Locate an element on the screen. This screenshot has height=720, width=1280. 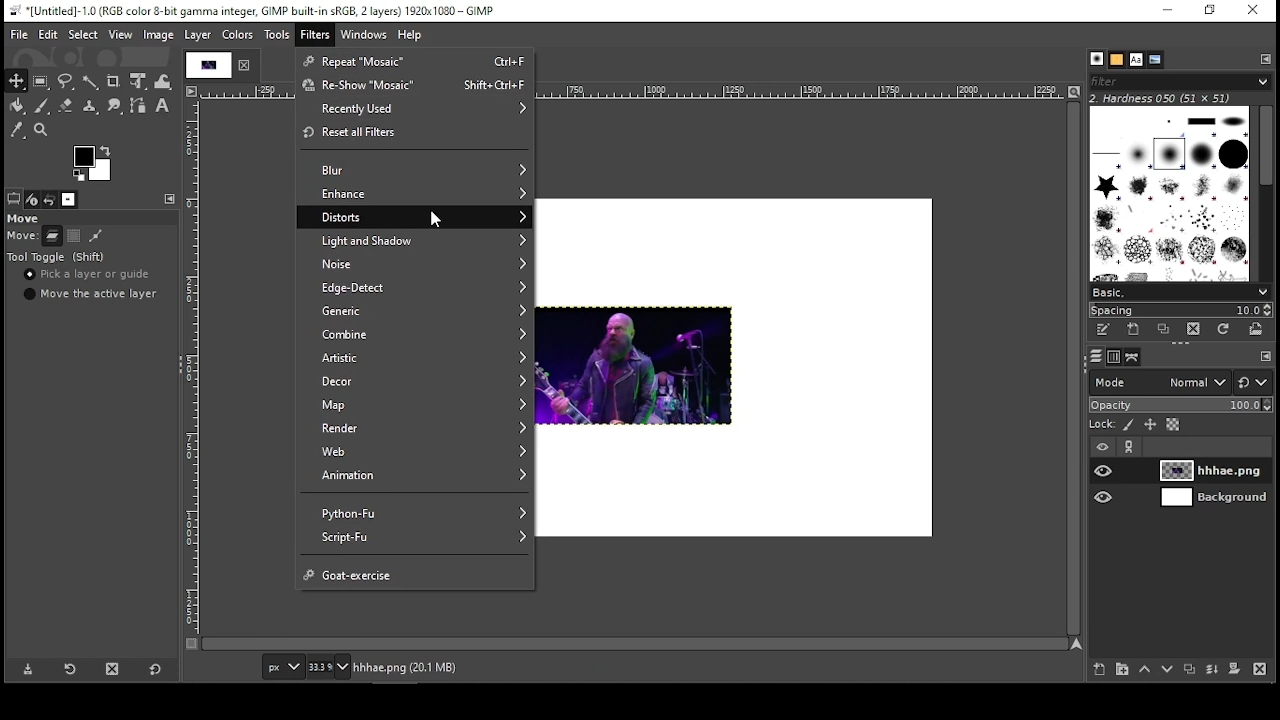
scroll bar is located at coordinates (1266, 192).